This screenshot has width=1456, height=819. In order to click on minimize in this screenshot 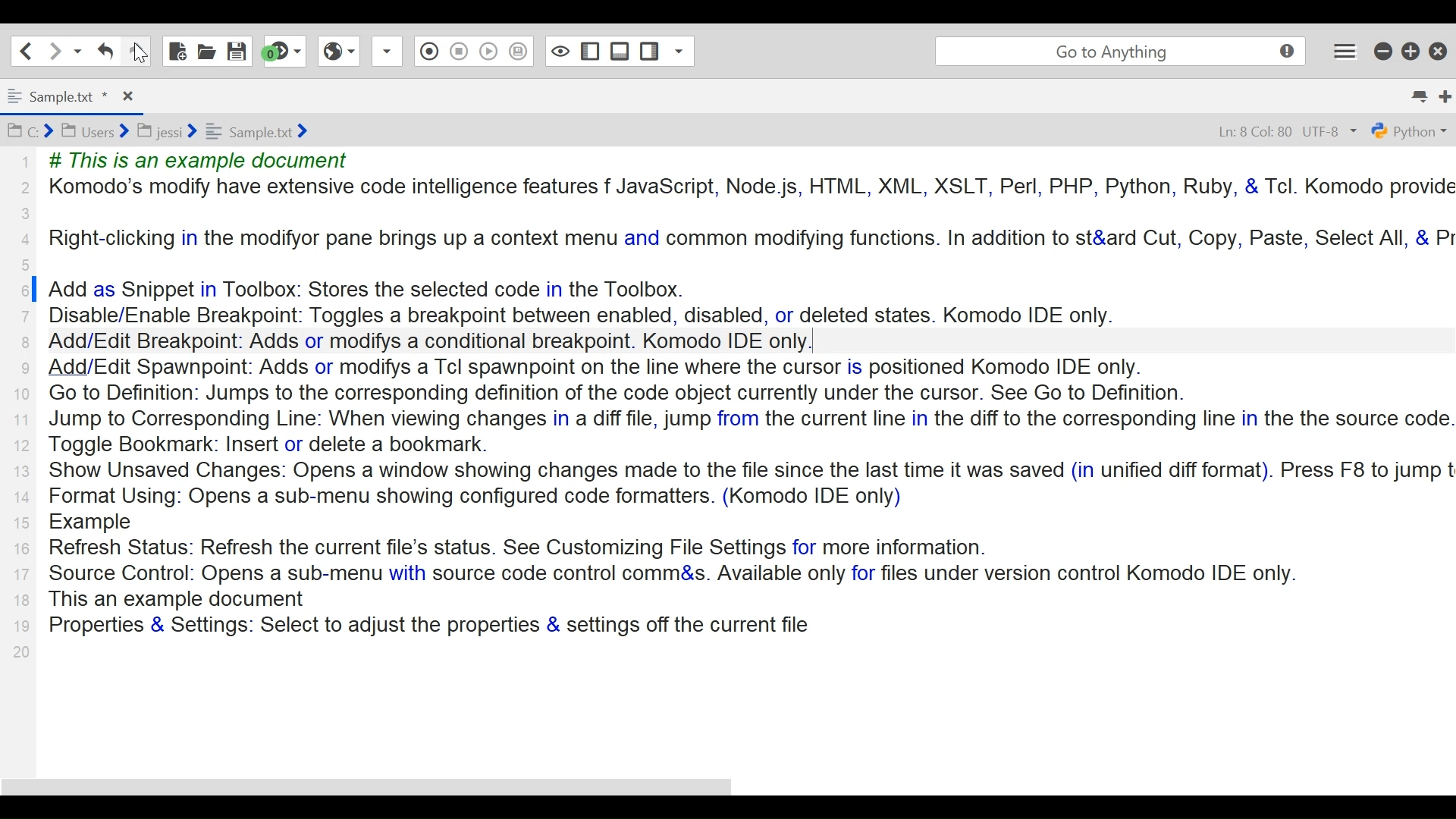, I will do `click(1385, 50)`.